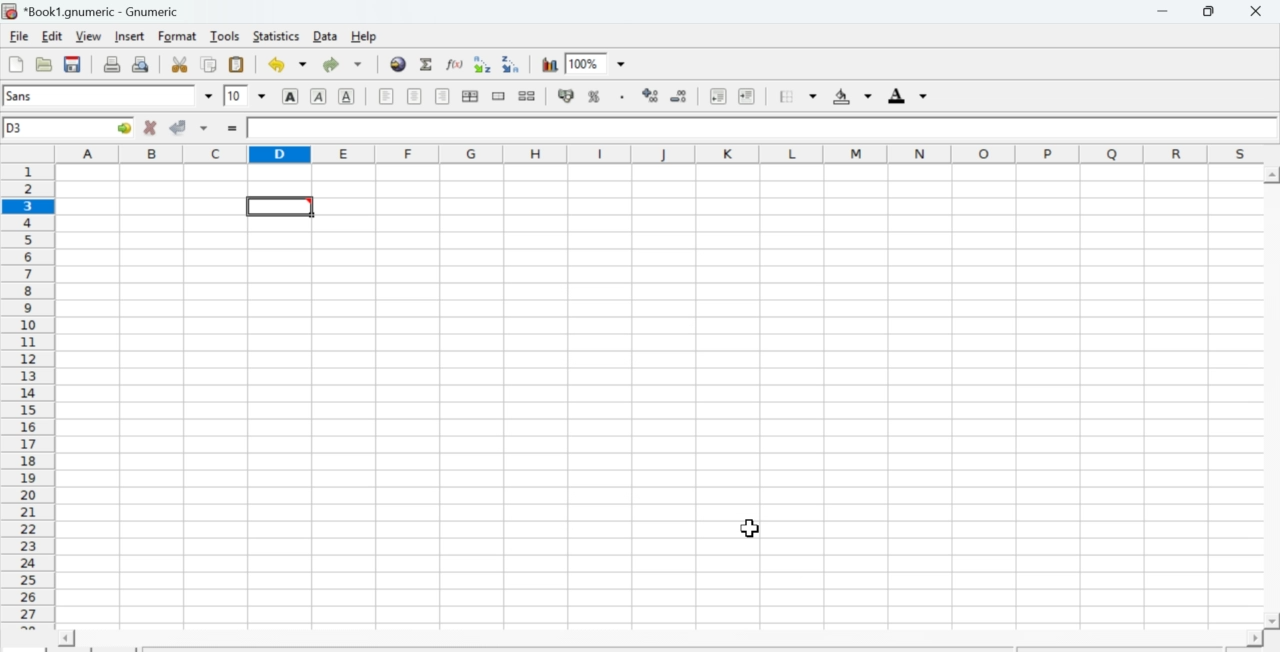 Image resolution: width=1280 pixels, height=652 pixels. What do you see at coordinates (237, 66) in the screenshot?
I see `Paste` at bounding box center [237, 66].